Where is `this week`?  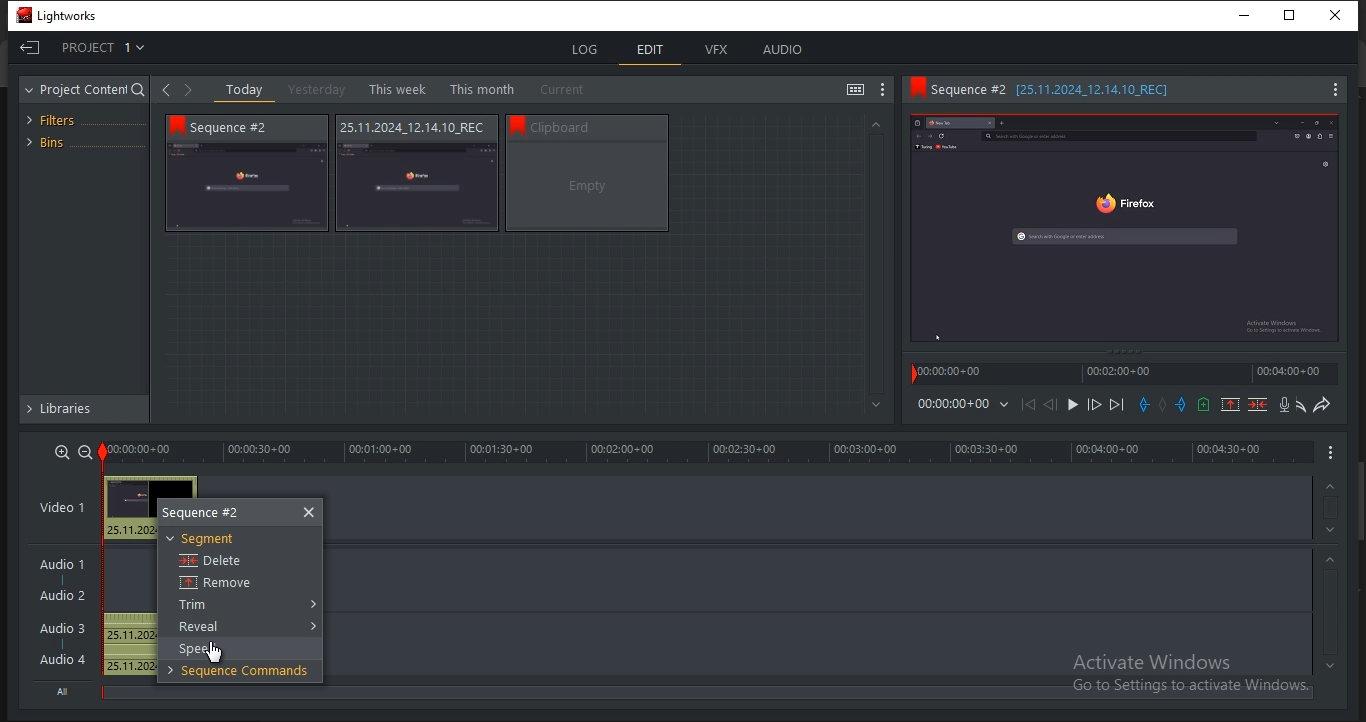
this week is located at coordinates (396, 88).